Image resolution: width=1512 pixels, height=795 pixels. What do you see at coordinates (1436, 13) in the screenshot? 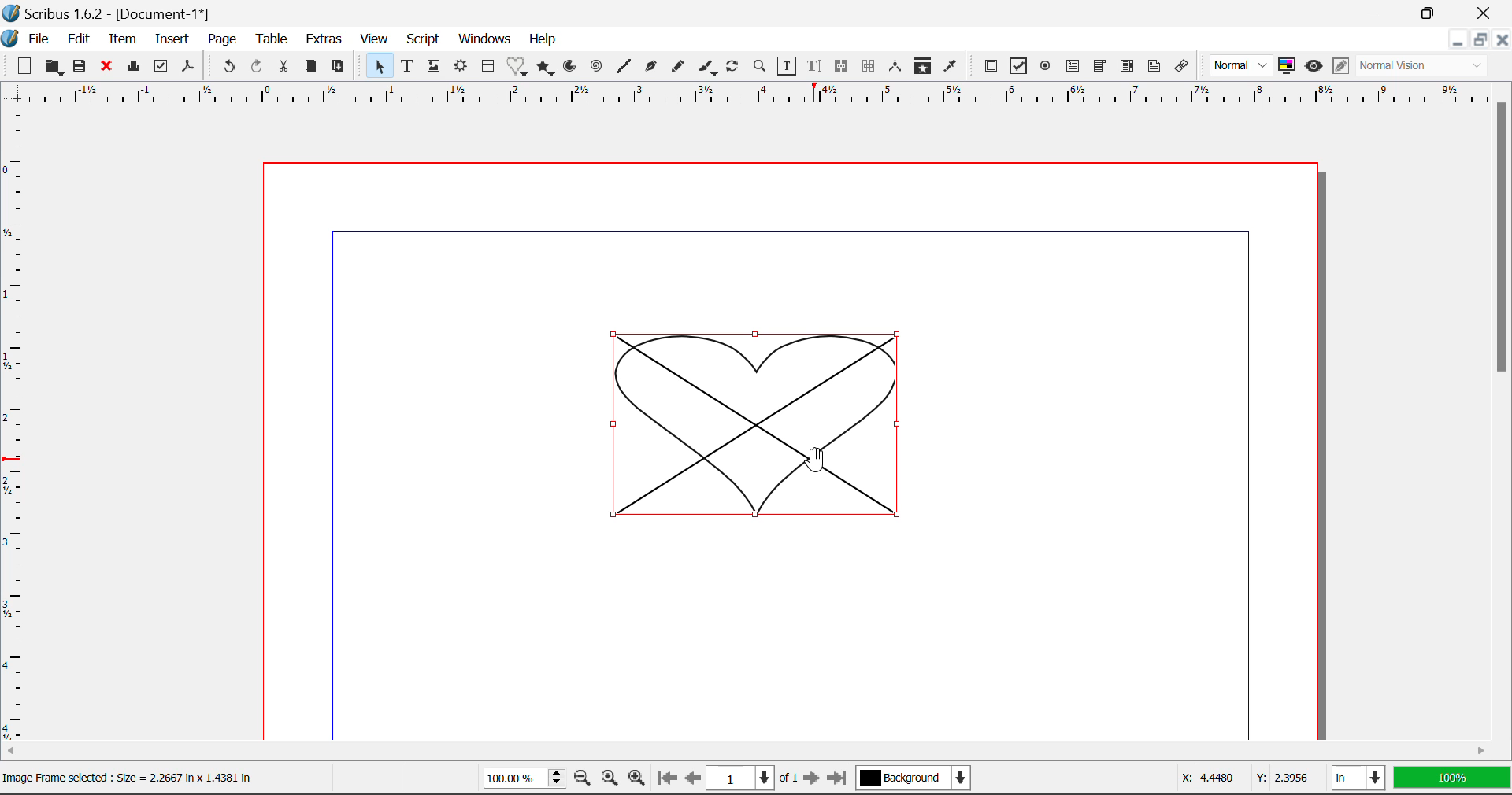
I see `Minimize` at bounding box center [1436, 13].